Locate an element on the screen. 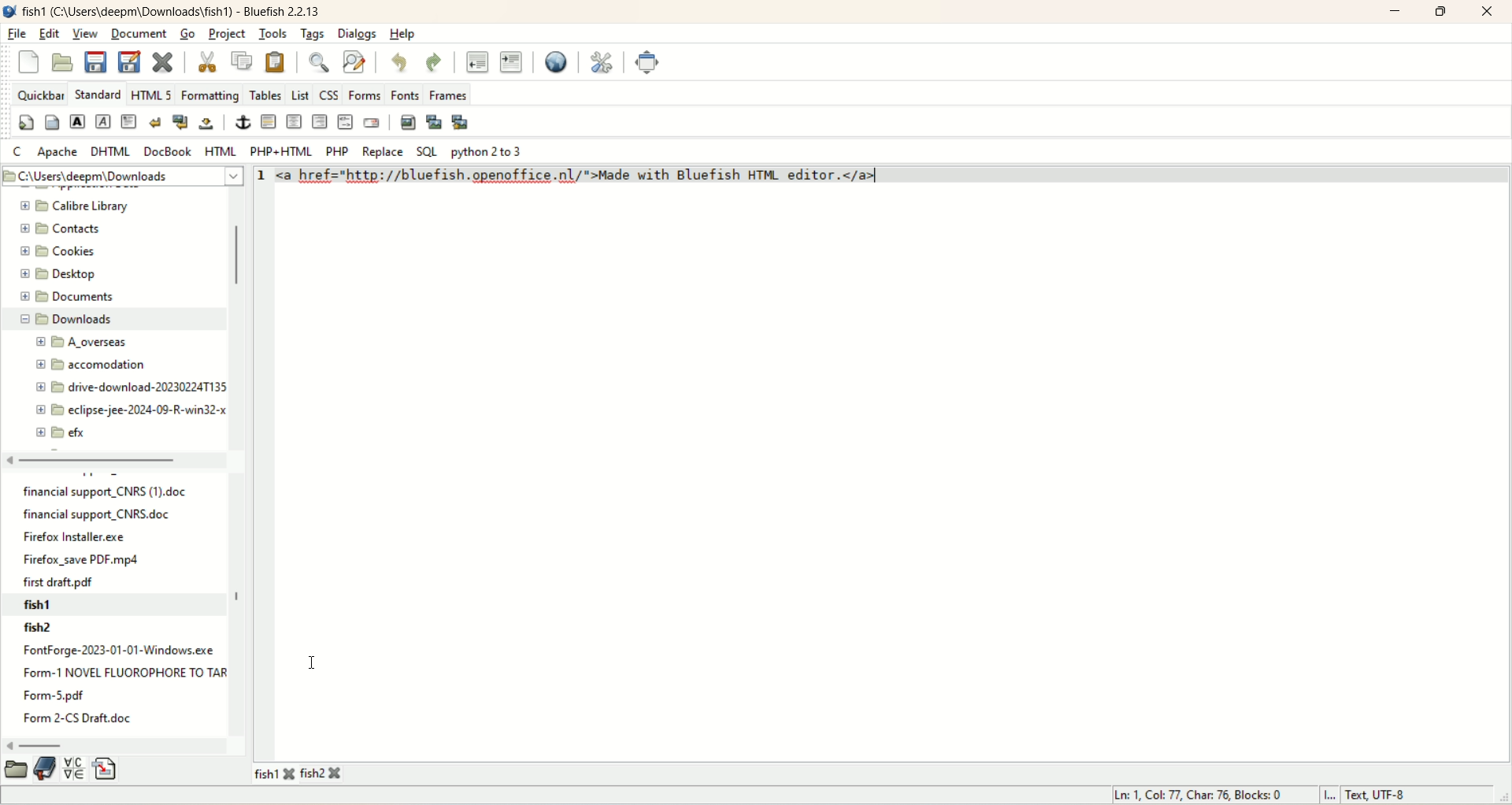  cookies is located at coordinates (59, 251).